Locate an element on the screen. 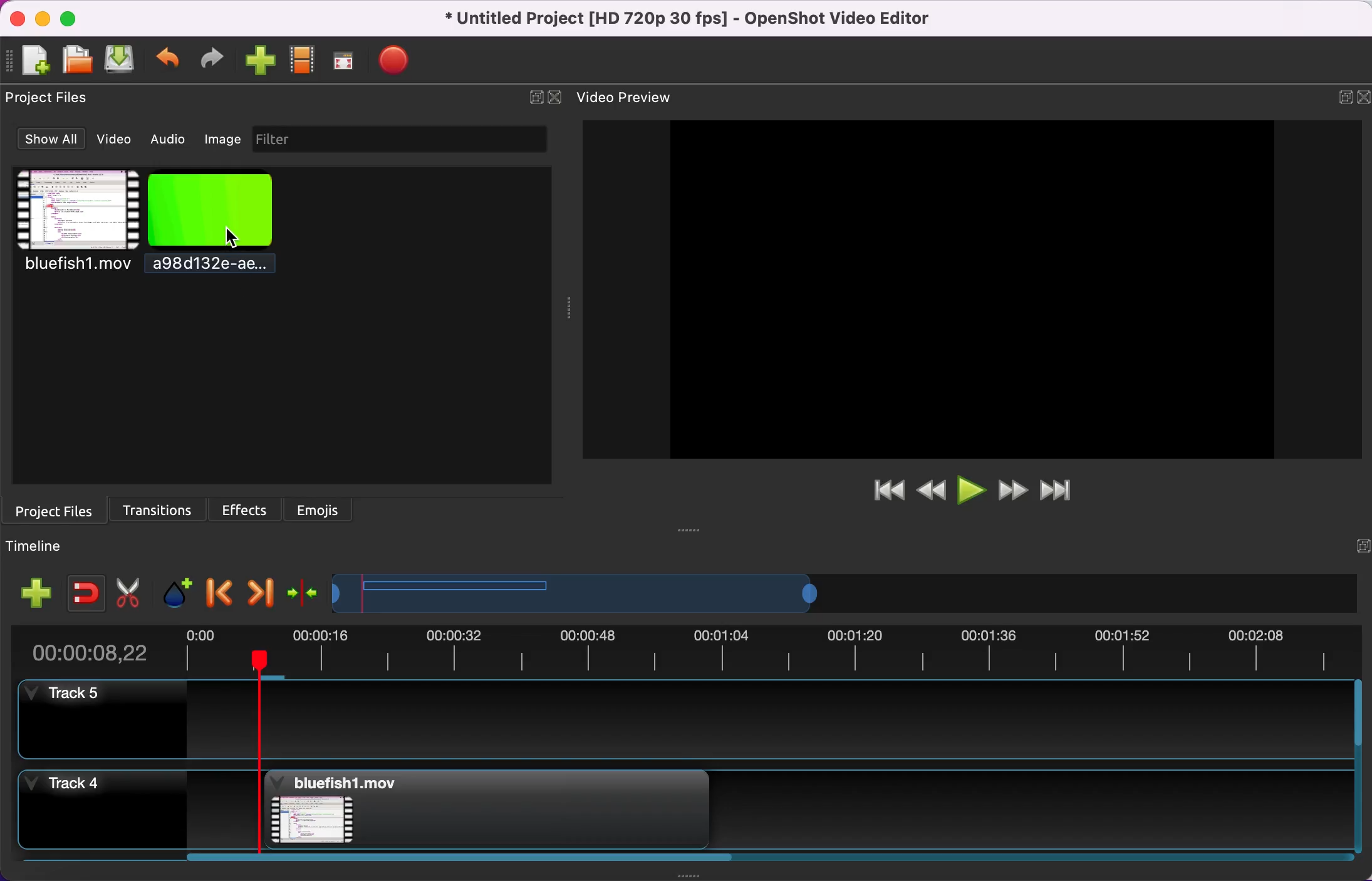 The width and height of the screenshot is (1372, 881). fullscreen is located at coordinates (346, 61).